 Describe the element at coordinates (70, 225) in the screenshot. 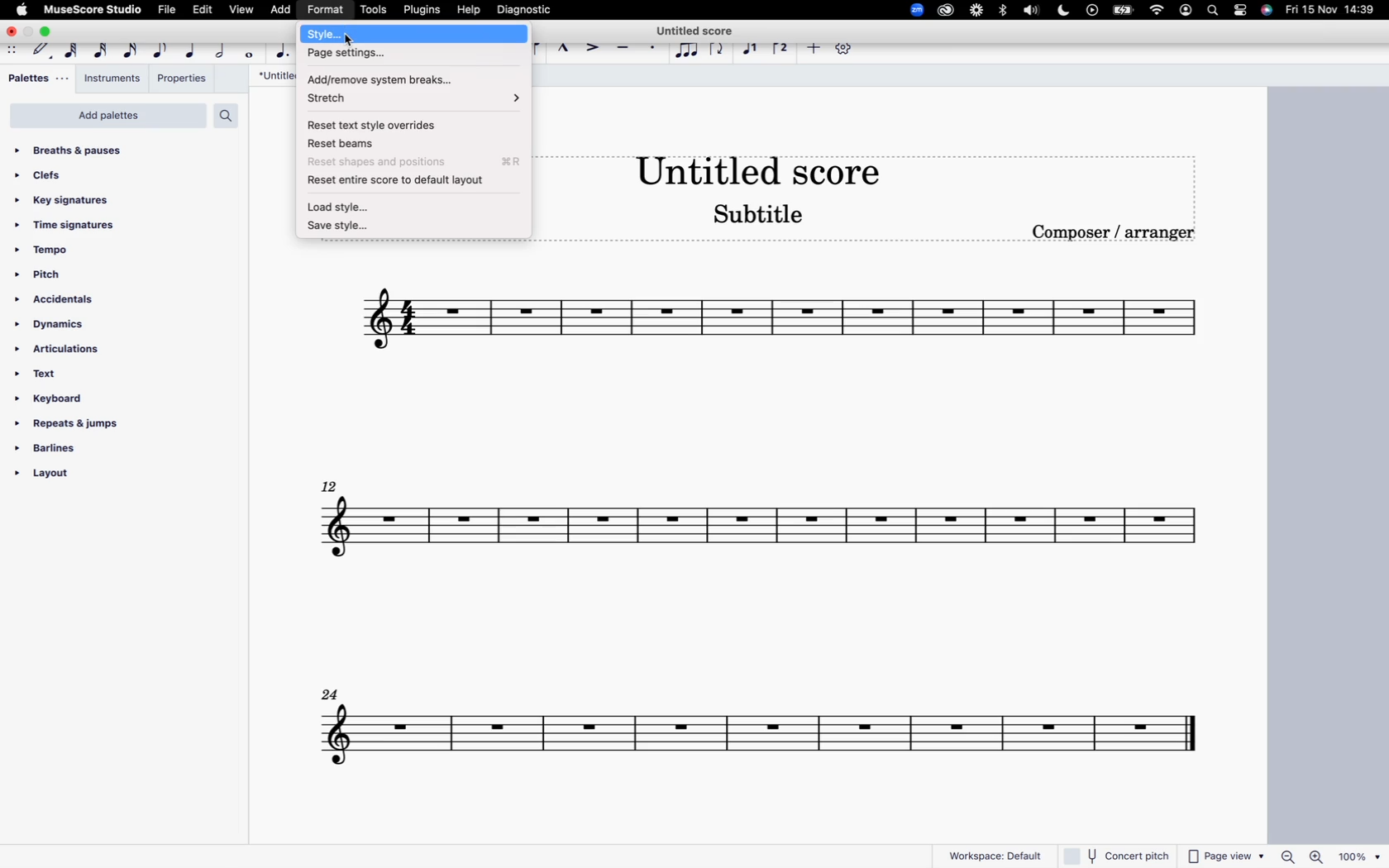

I see `time signatures` at that location.